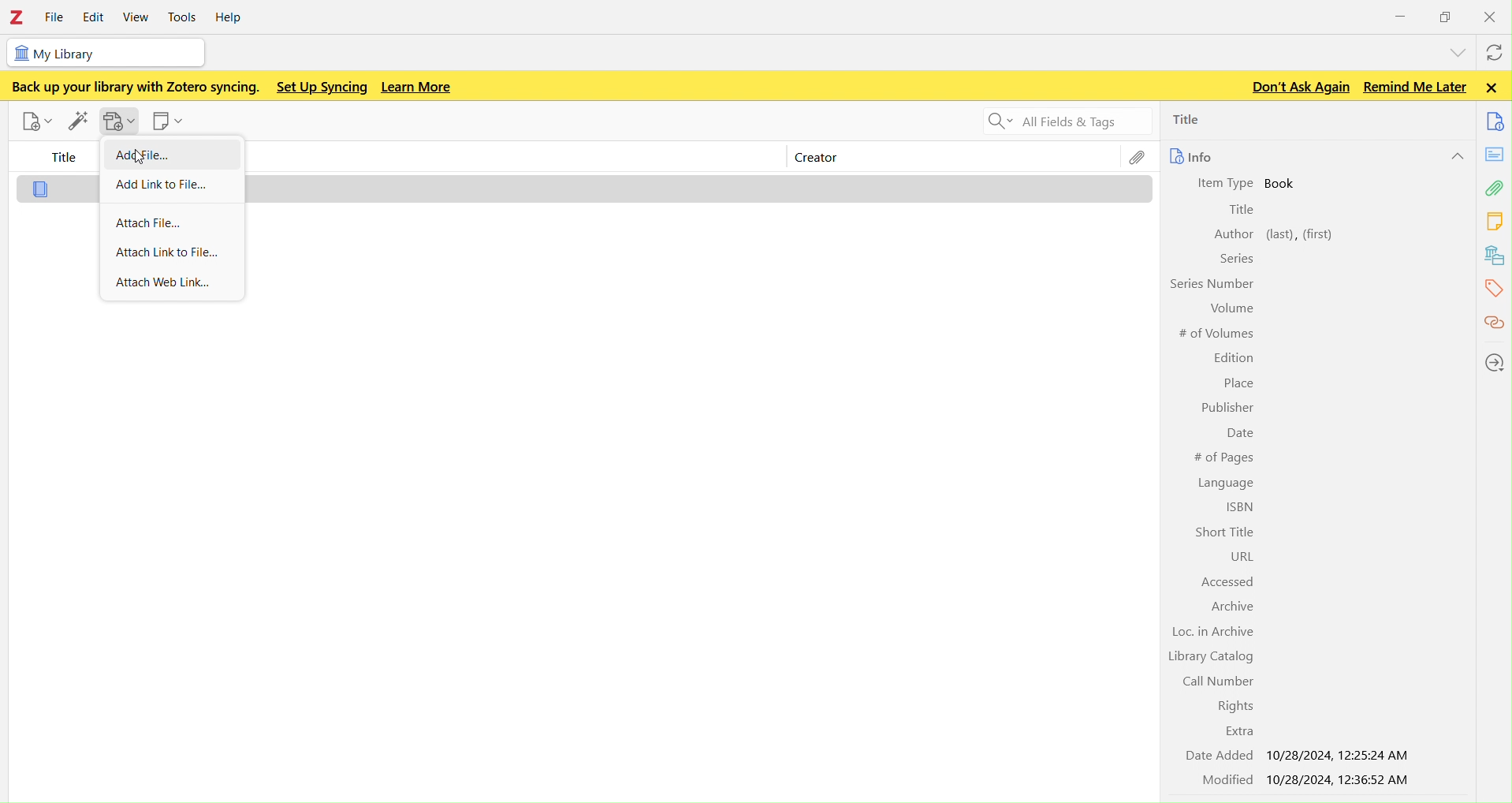  What do you see at coordinates (1215, 631) in the screenshot?
I see `Loc. in Archive` at bounding box center [1215, 631].